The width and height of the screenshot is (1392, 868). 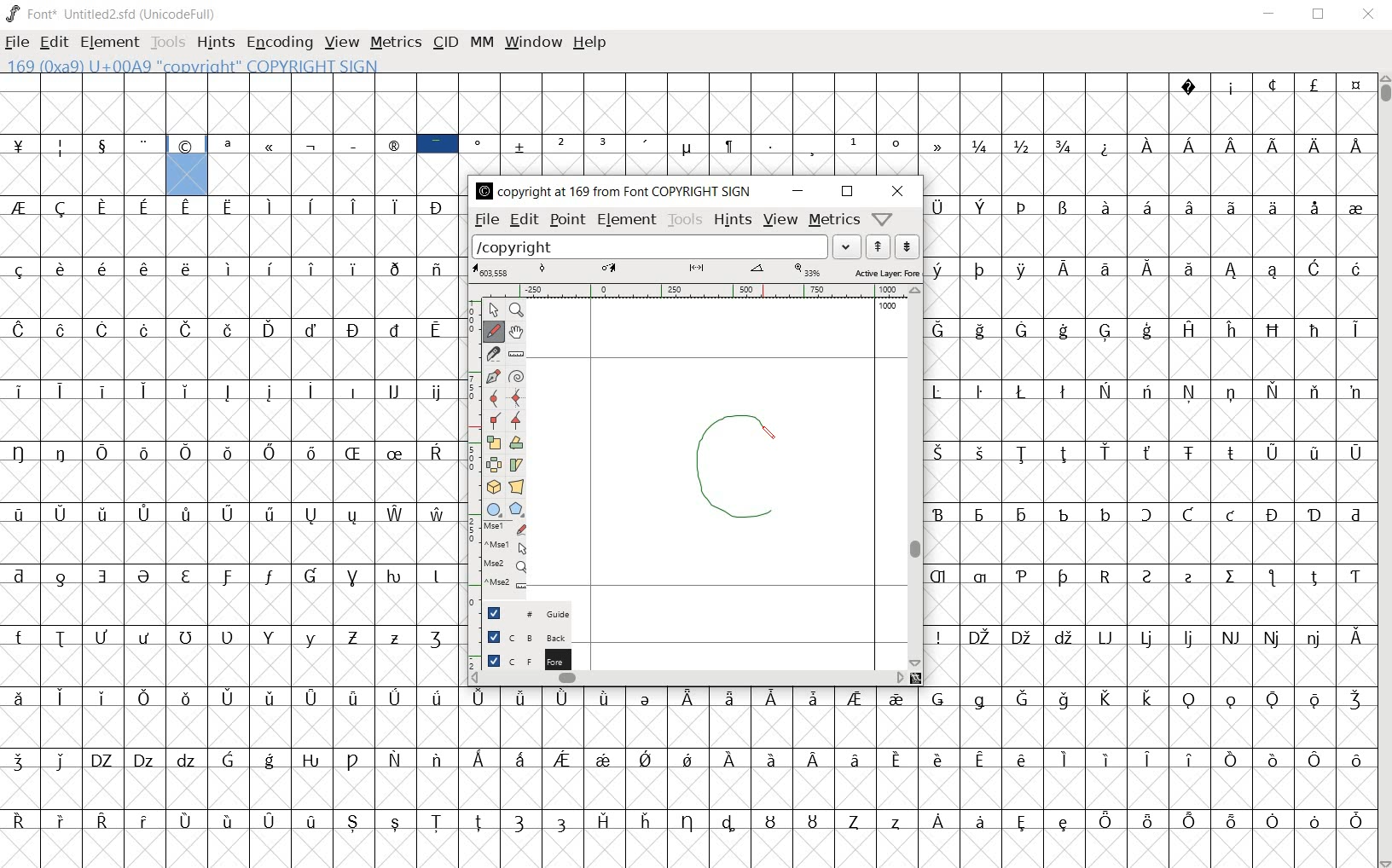 I want to click on POINTER, so click(x=493, y=309).